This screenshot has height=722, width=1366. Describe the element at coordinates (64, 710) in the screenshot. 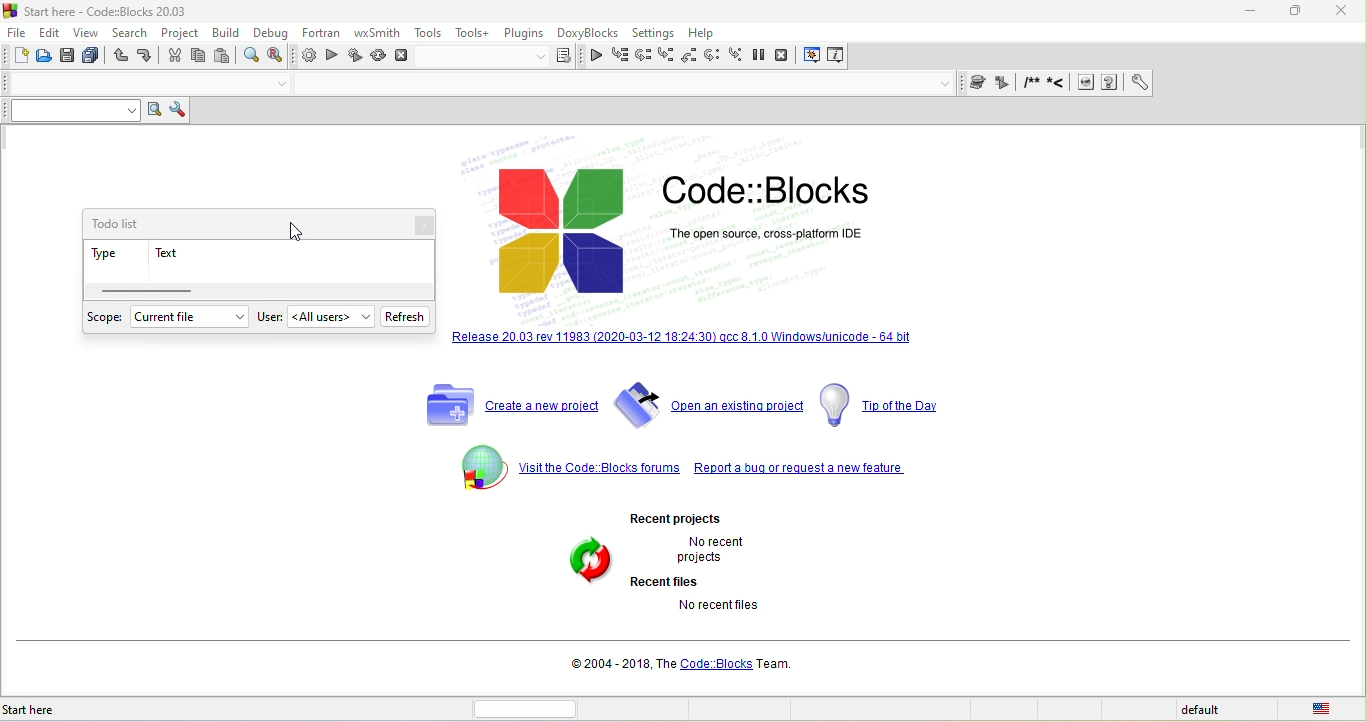

I see `start here` at that location.